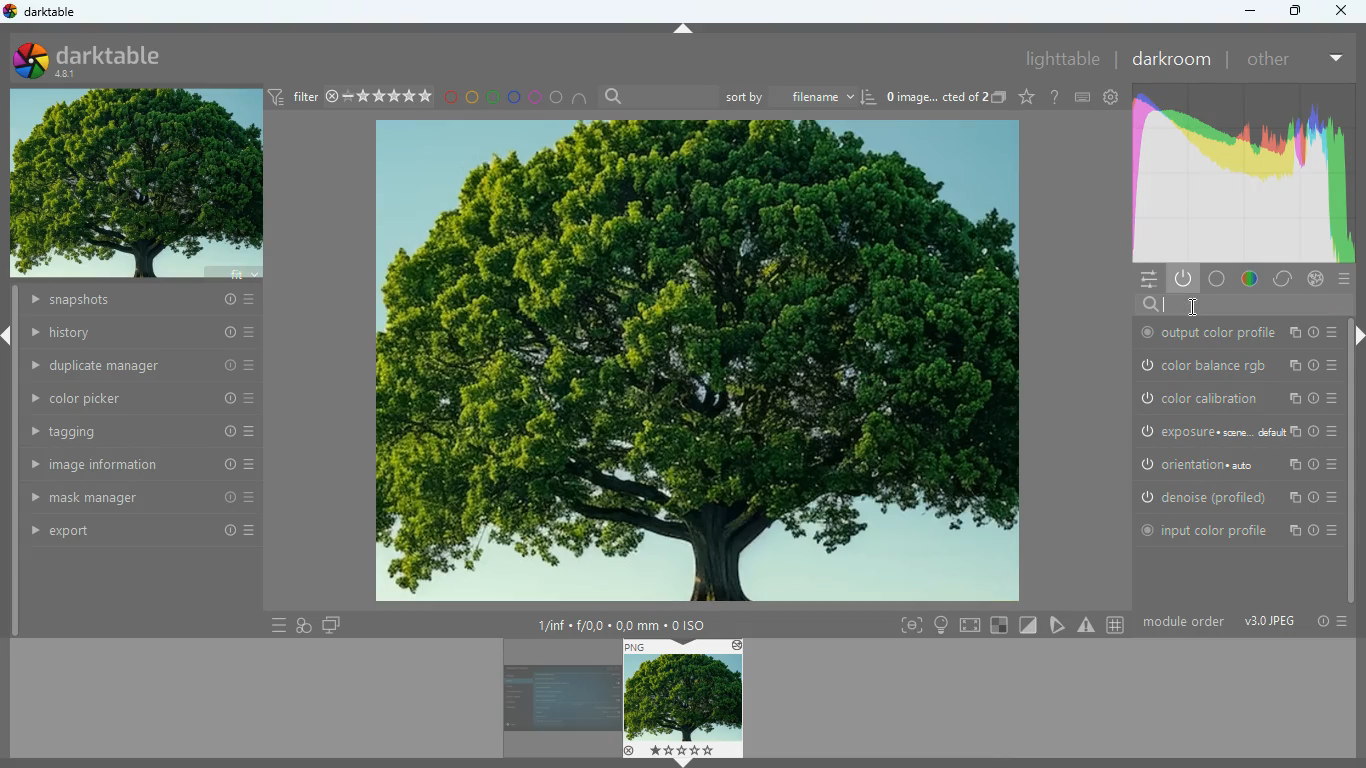  What do you see at coordinates (141, 365) in the screenshot?
I see `duplicate manager` at bounding box center [141, 365].